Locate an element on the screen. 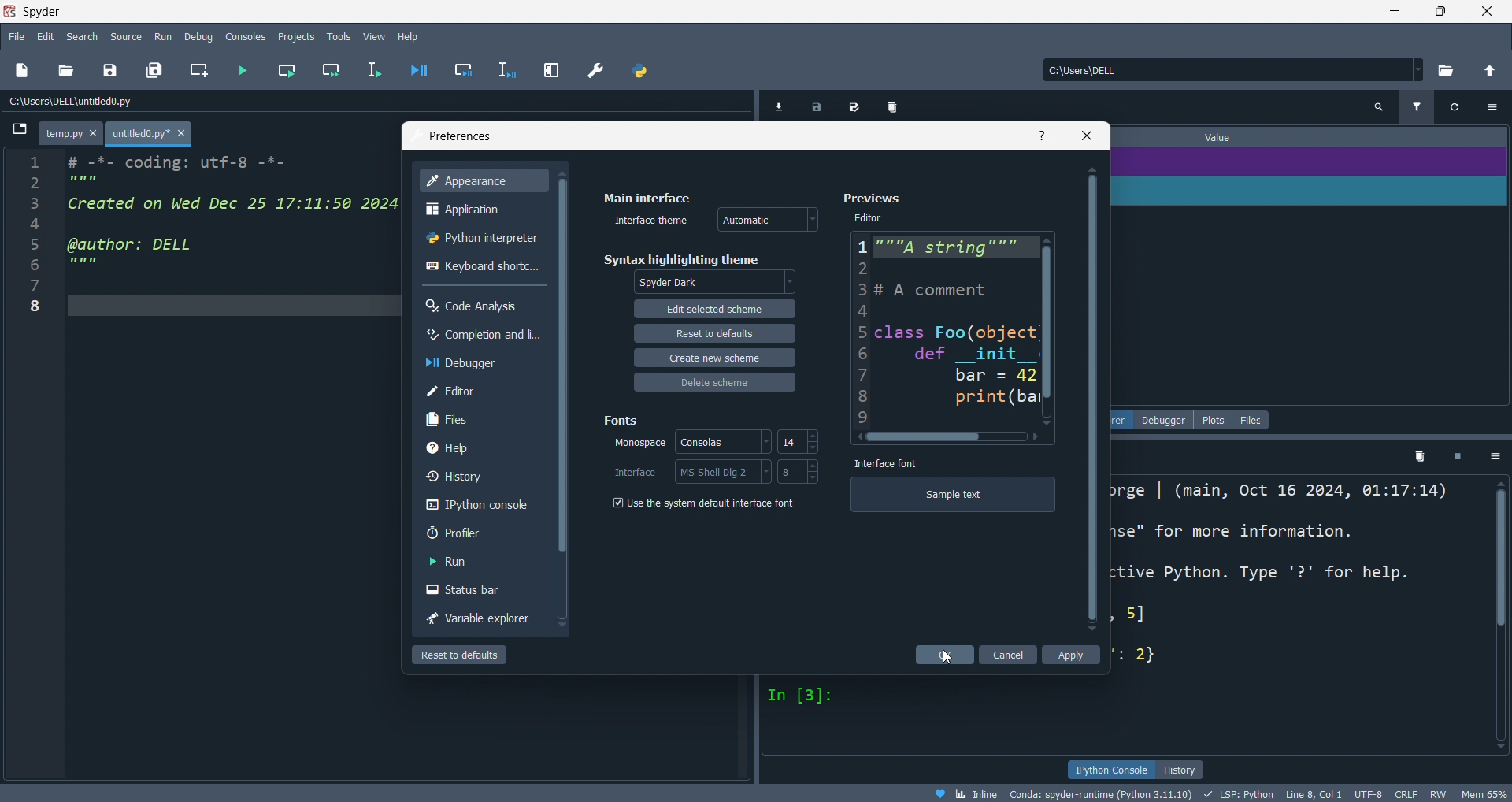  close is located at coordinates (1087, 134).